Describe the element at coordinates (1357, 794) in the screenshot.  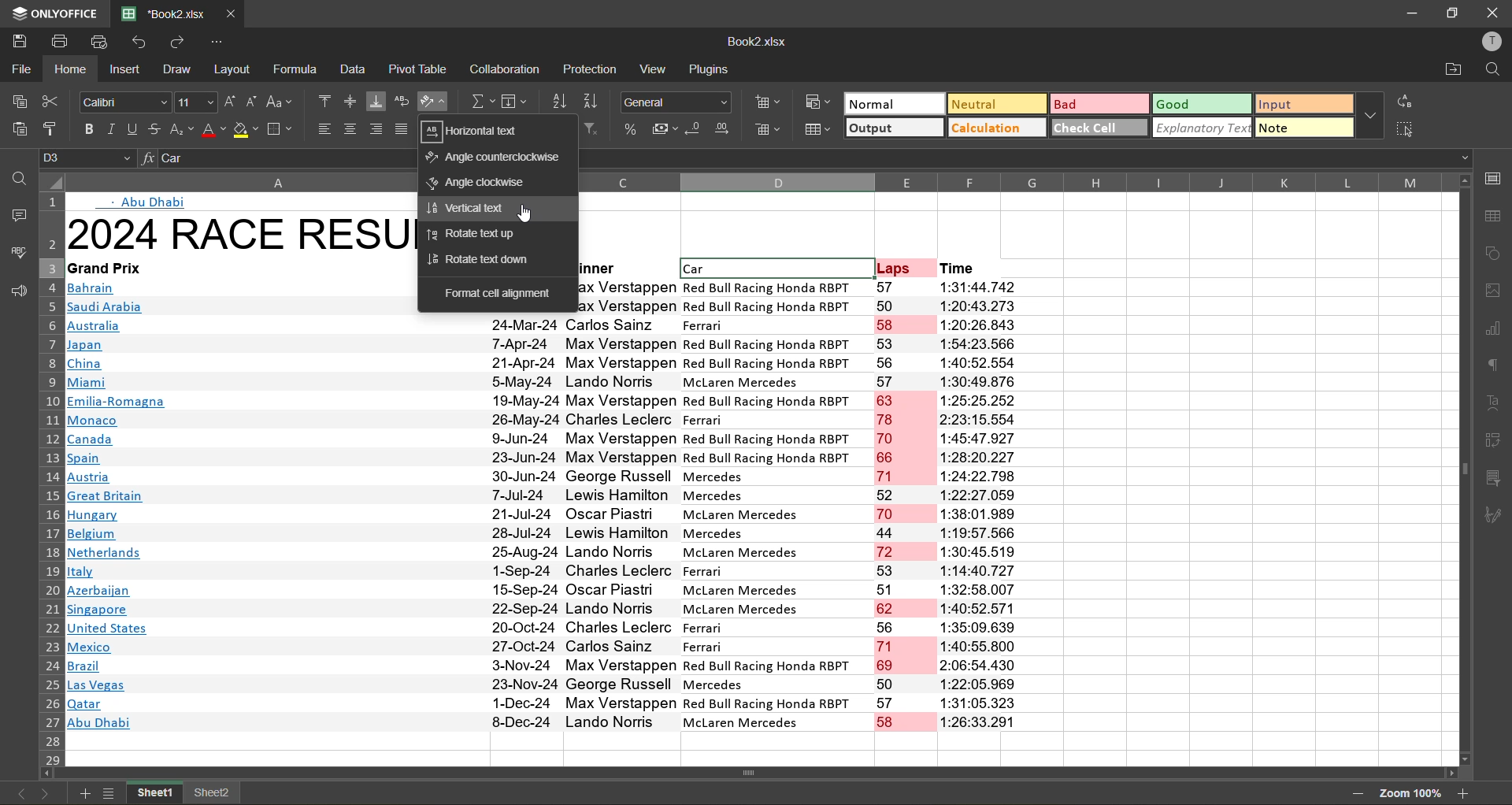
I see `zoom out` at that location.